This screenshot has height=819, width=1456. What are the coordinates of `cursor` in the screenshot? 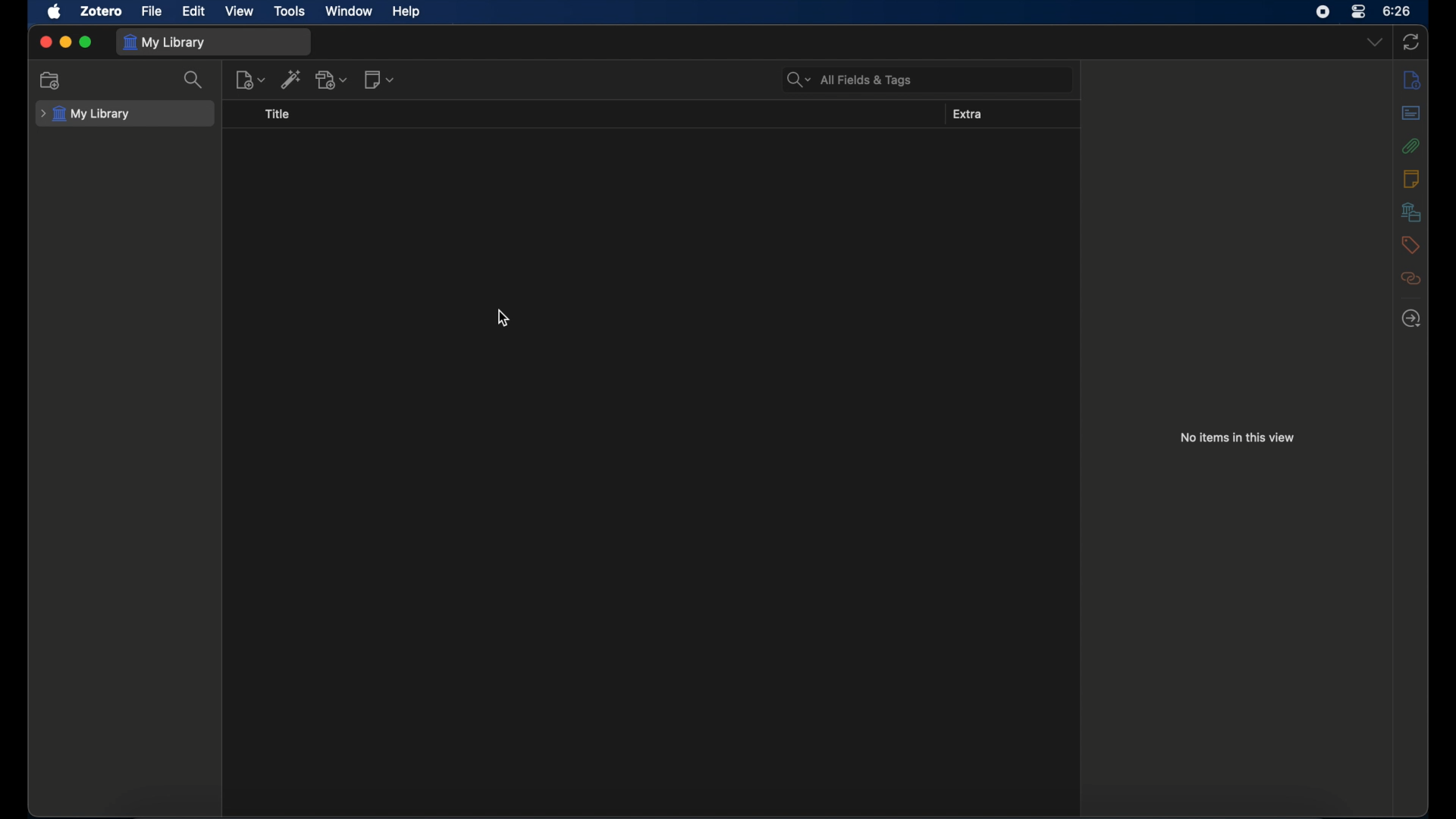 It's located at (502, 316).